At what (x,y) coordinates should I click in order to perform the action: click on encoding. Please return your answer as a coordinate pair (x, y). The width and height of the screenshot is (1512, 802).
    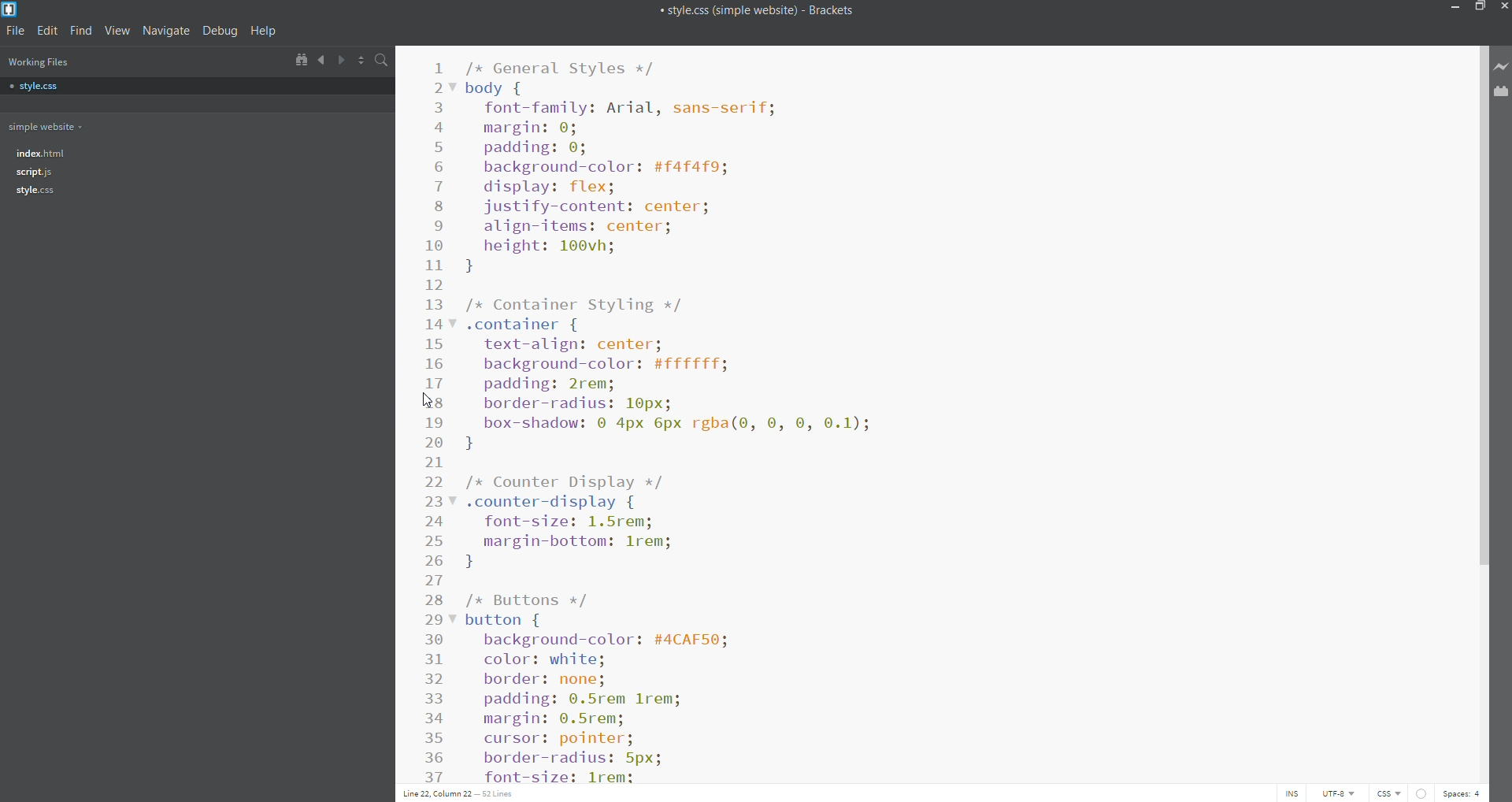
    Looking at the image, I should click on (1336, 793).